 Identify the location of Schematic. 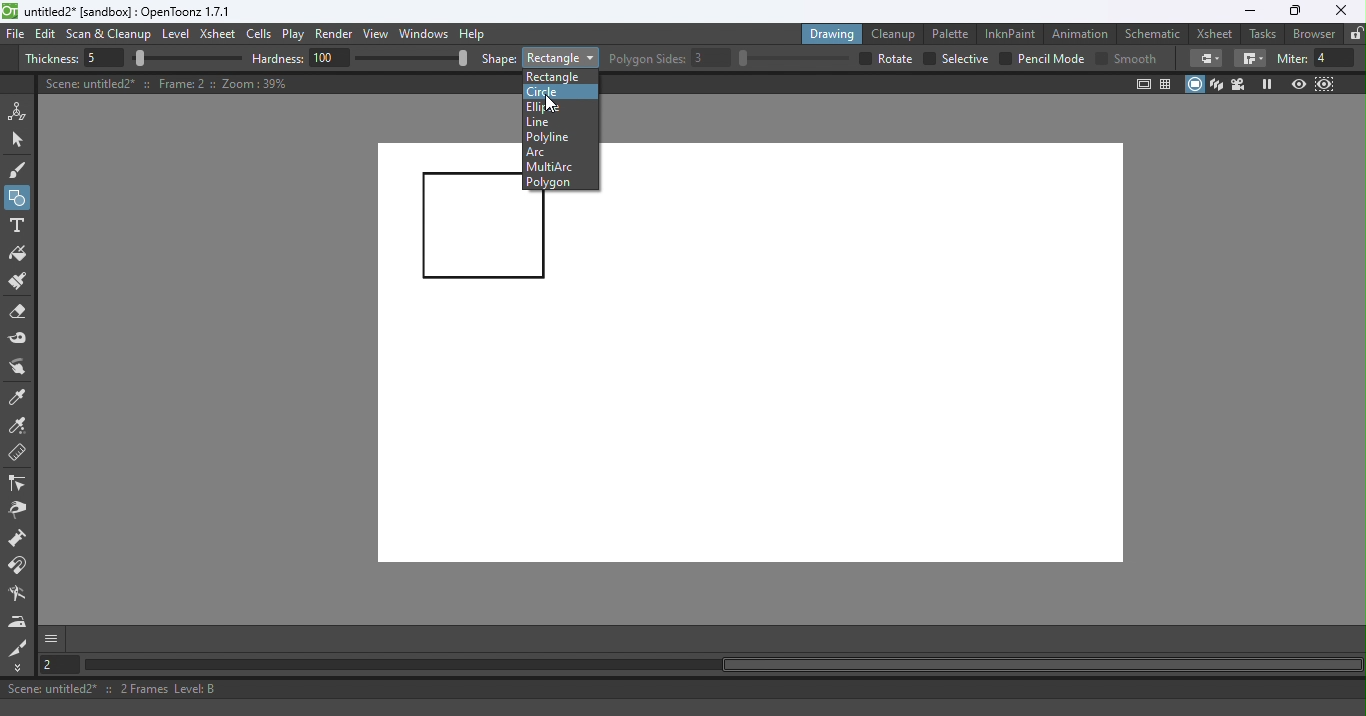
(1153, 34).